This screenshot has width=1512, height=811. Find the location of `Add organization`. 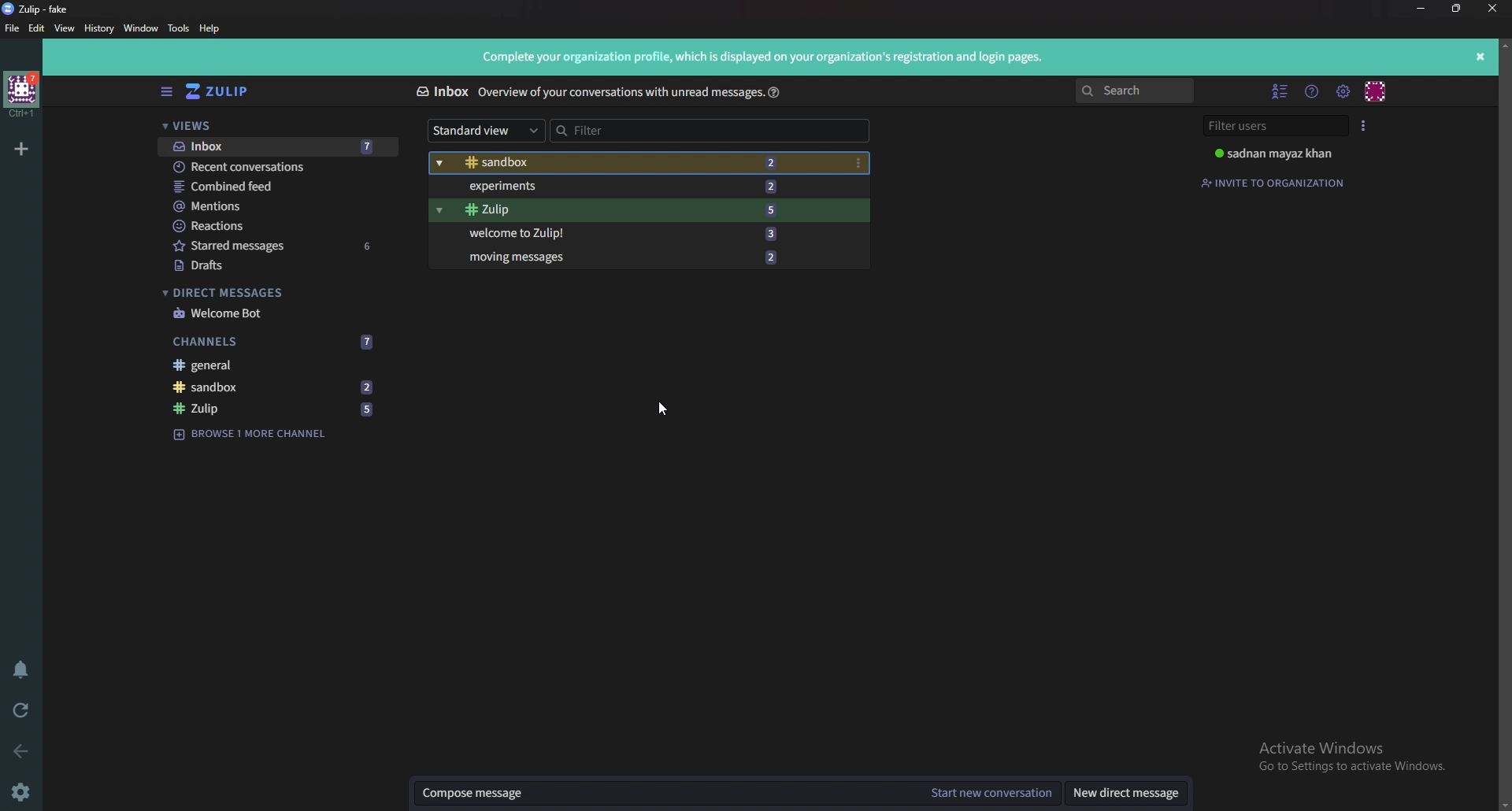

Add organization is located at coordinates (21, 149).